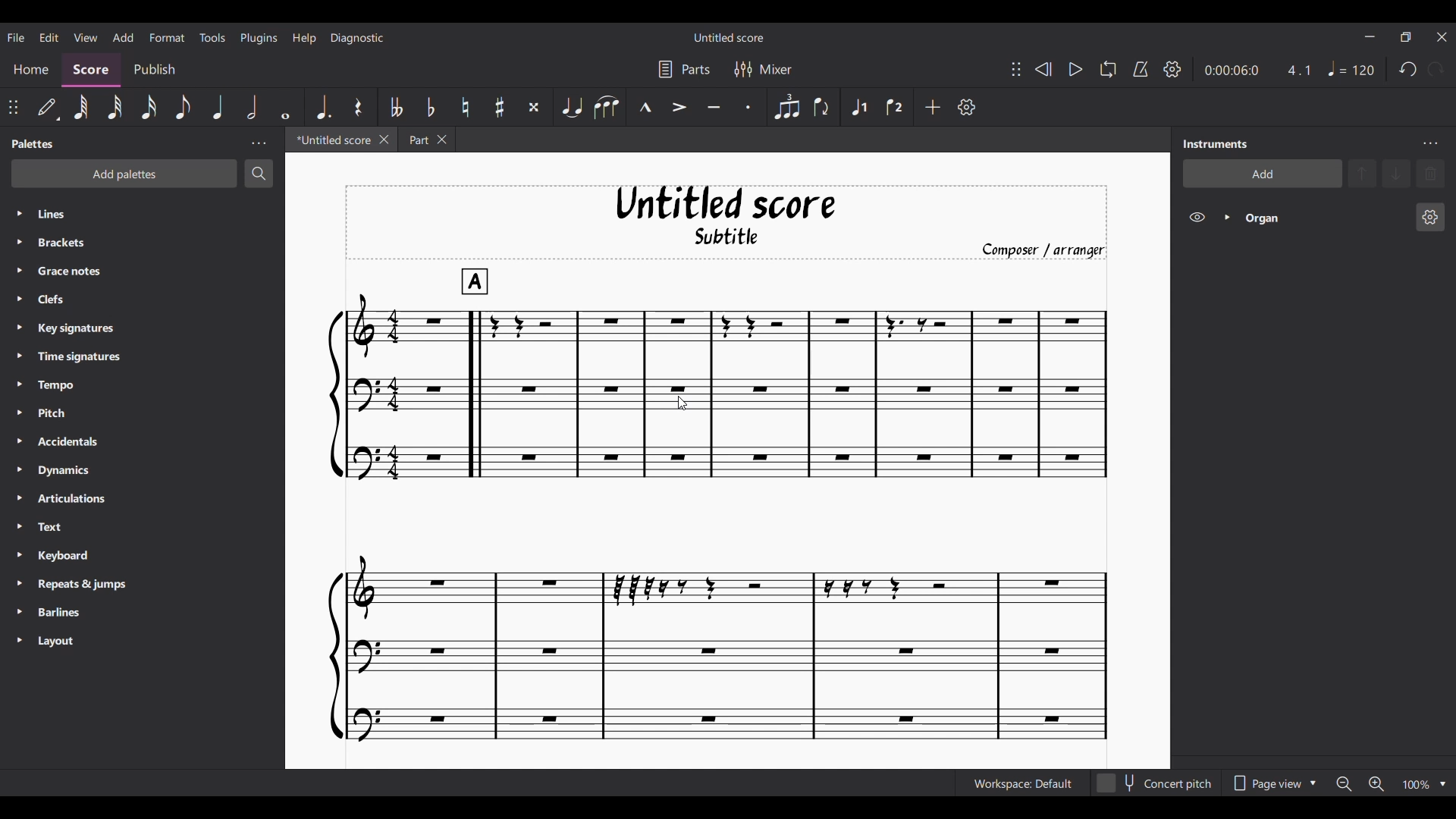 This screenshot has height=819, width=1456. I want to click on Title, sub-title, and composer name, so click(727, 222).